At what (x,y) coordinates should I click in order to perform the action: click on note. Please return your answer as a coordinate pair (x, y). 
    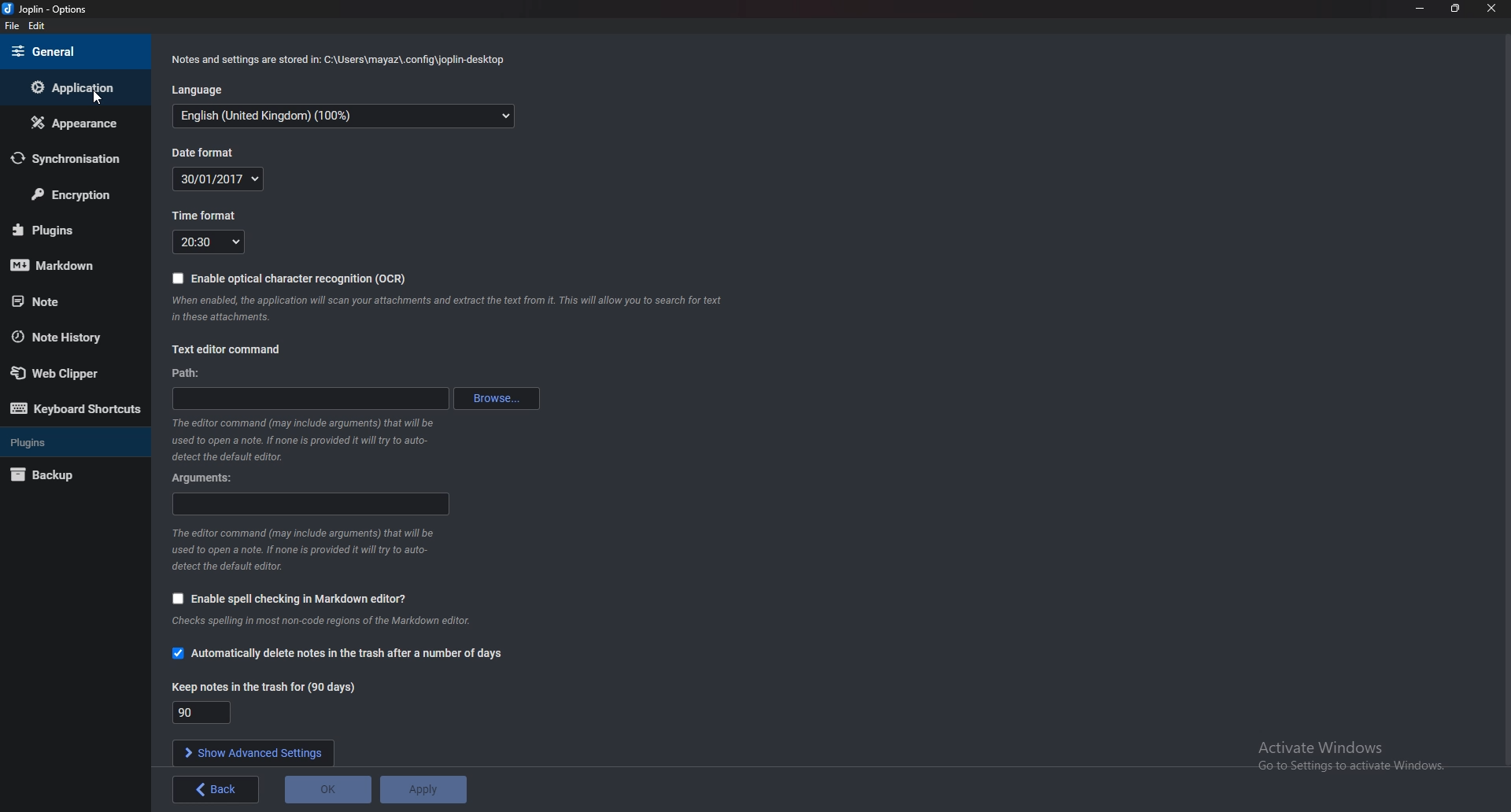
    Looking at the image, I should click on (64, 301).